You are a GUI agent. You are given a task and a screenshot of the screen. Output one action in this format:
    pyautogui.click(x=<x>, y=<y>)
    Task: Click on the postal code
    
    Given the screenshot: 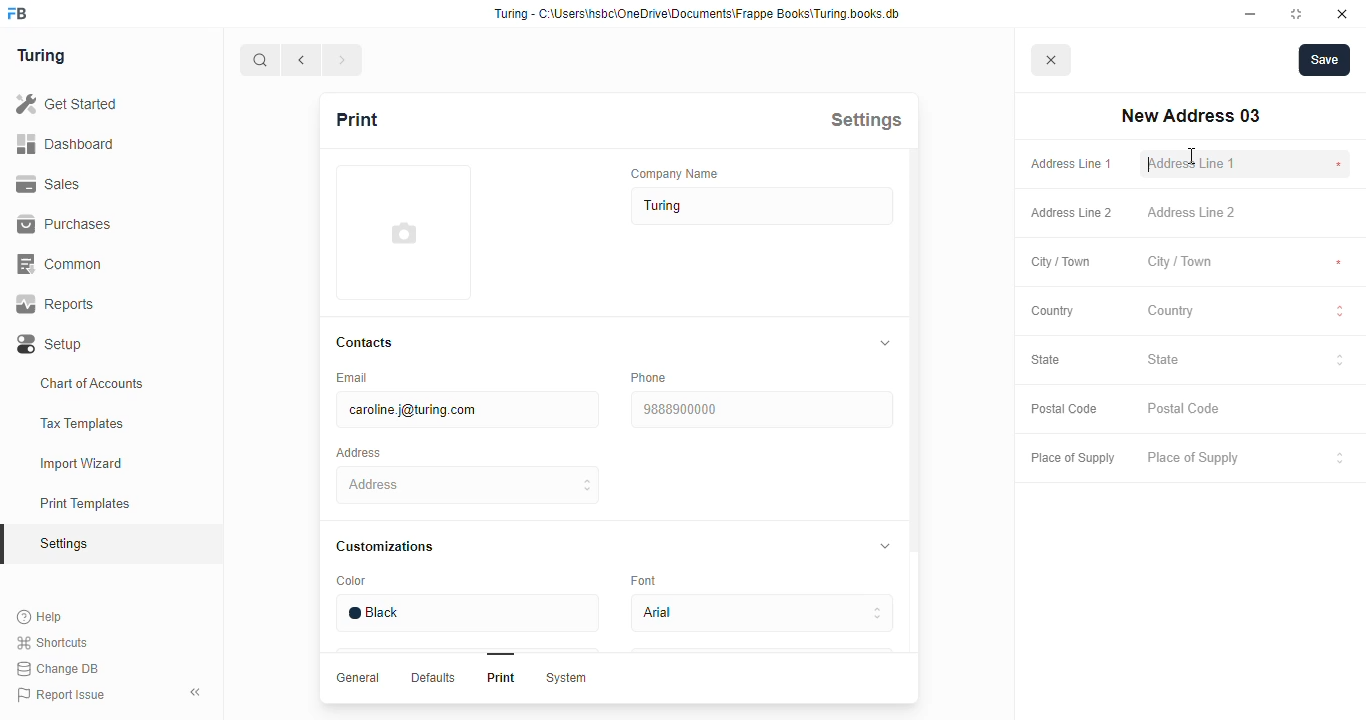 What is the action you would take?
    pyautogui.click(x=1185, y=409)
    